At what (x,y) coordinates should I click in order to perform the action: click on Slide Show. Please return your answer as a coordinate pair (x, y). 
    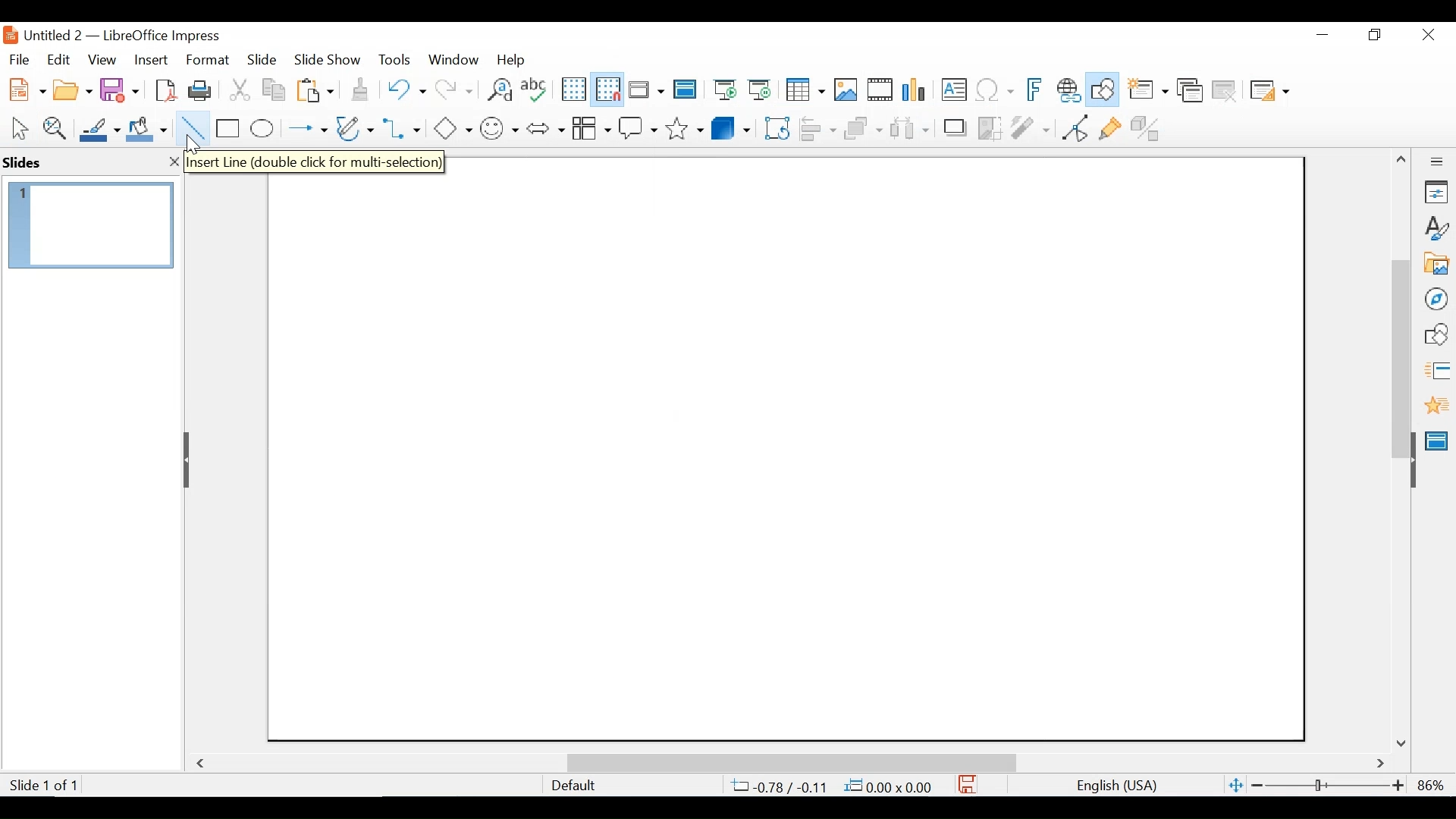
    Looking at the image, I should click on (328, 58).